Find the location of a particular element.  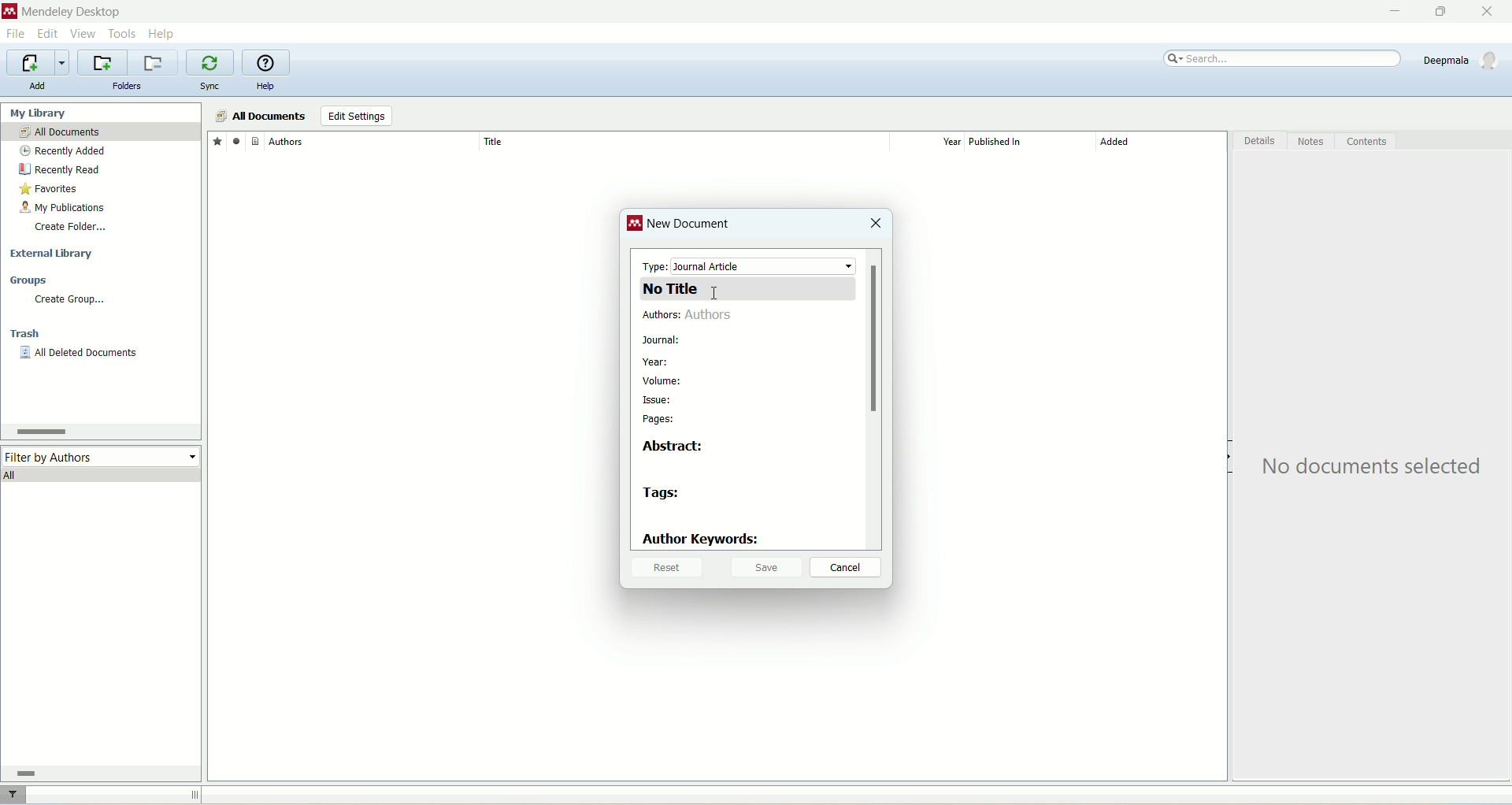

online help guide for mendeley is located at coordinates (267, 63).